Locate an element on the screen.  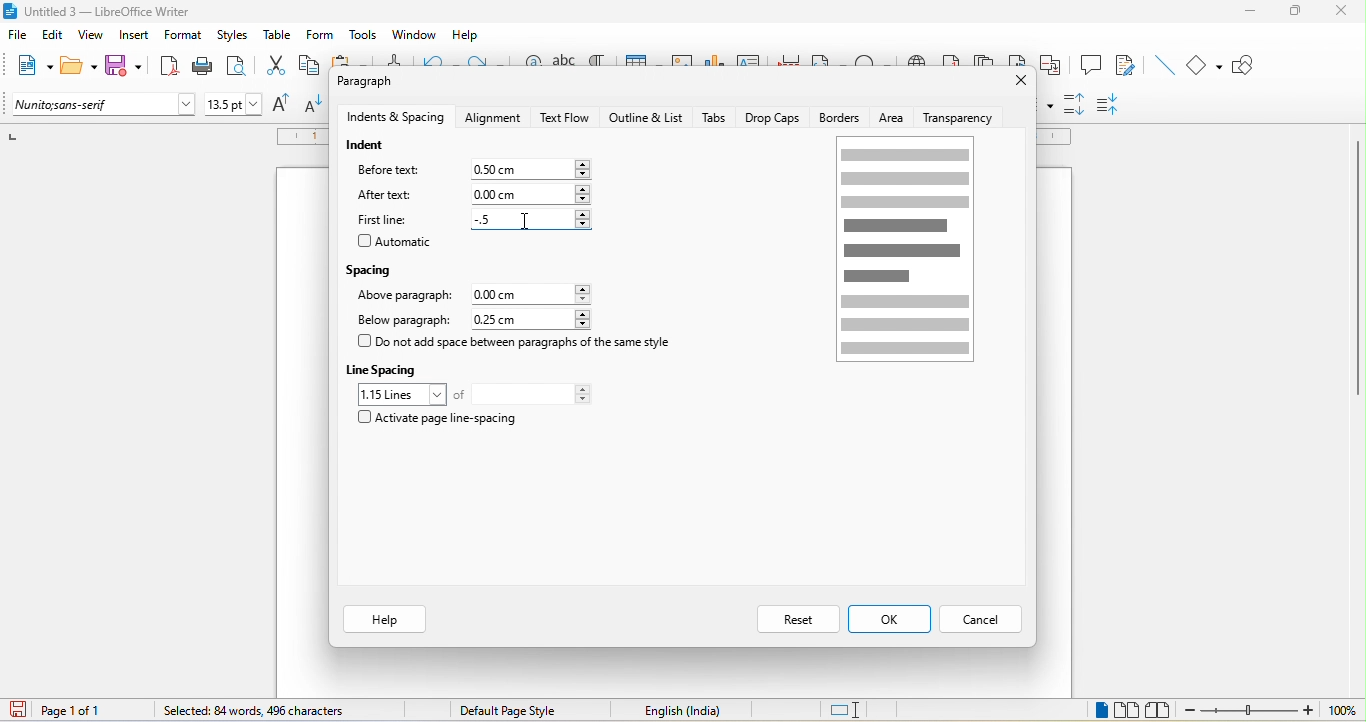
spacing is located at coordinates (377, 273).